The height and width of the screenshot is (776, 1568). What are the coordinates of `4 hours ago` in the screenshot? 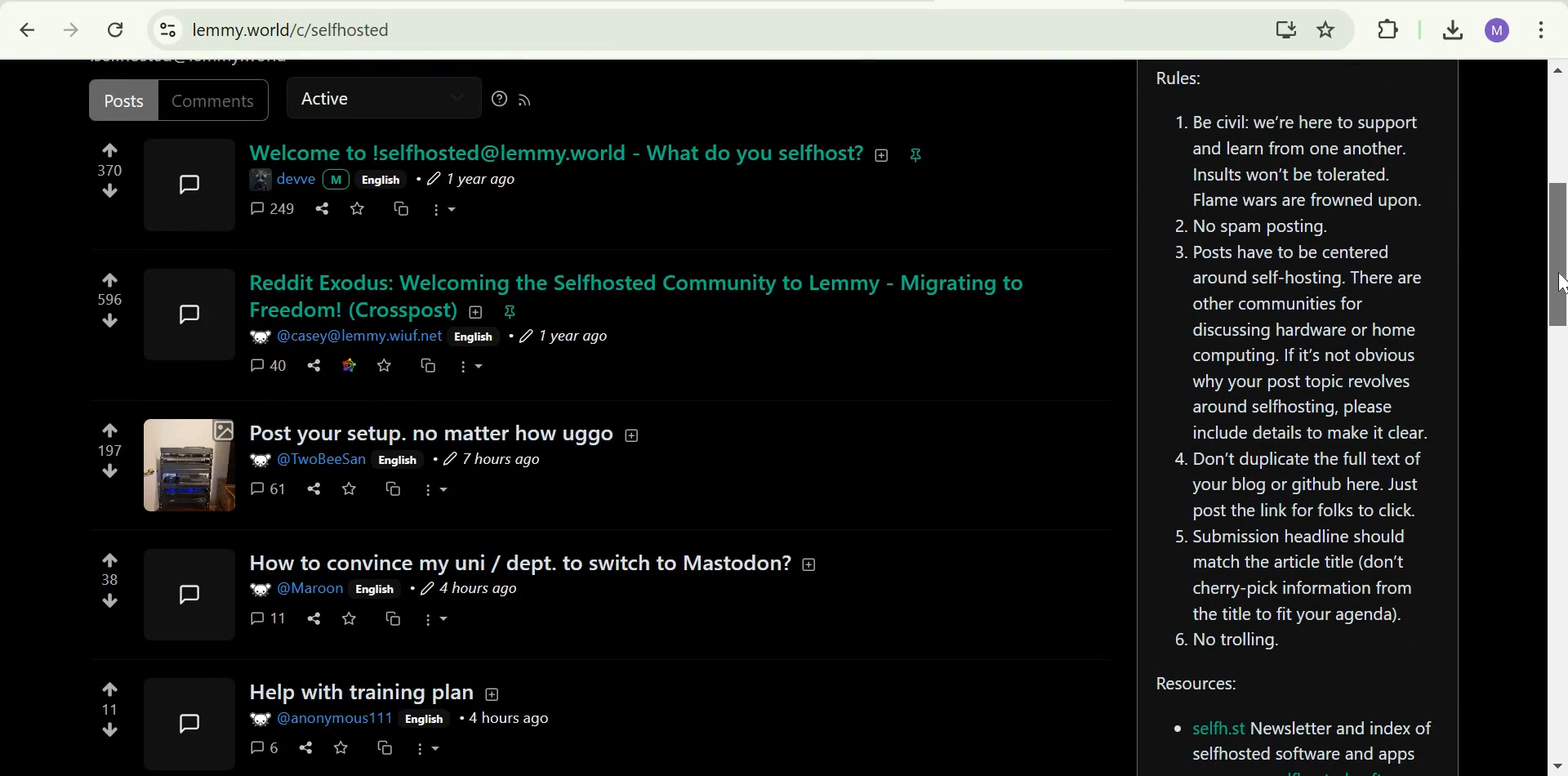 It's located at (506, 719).